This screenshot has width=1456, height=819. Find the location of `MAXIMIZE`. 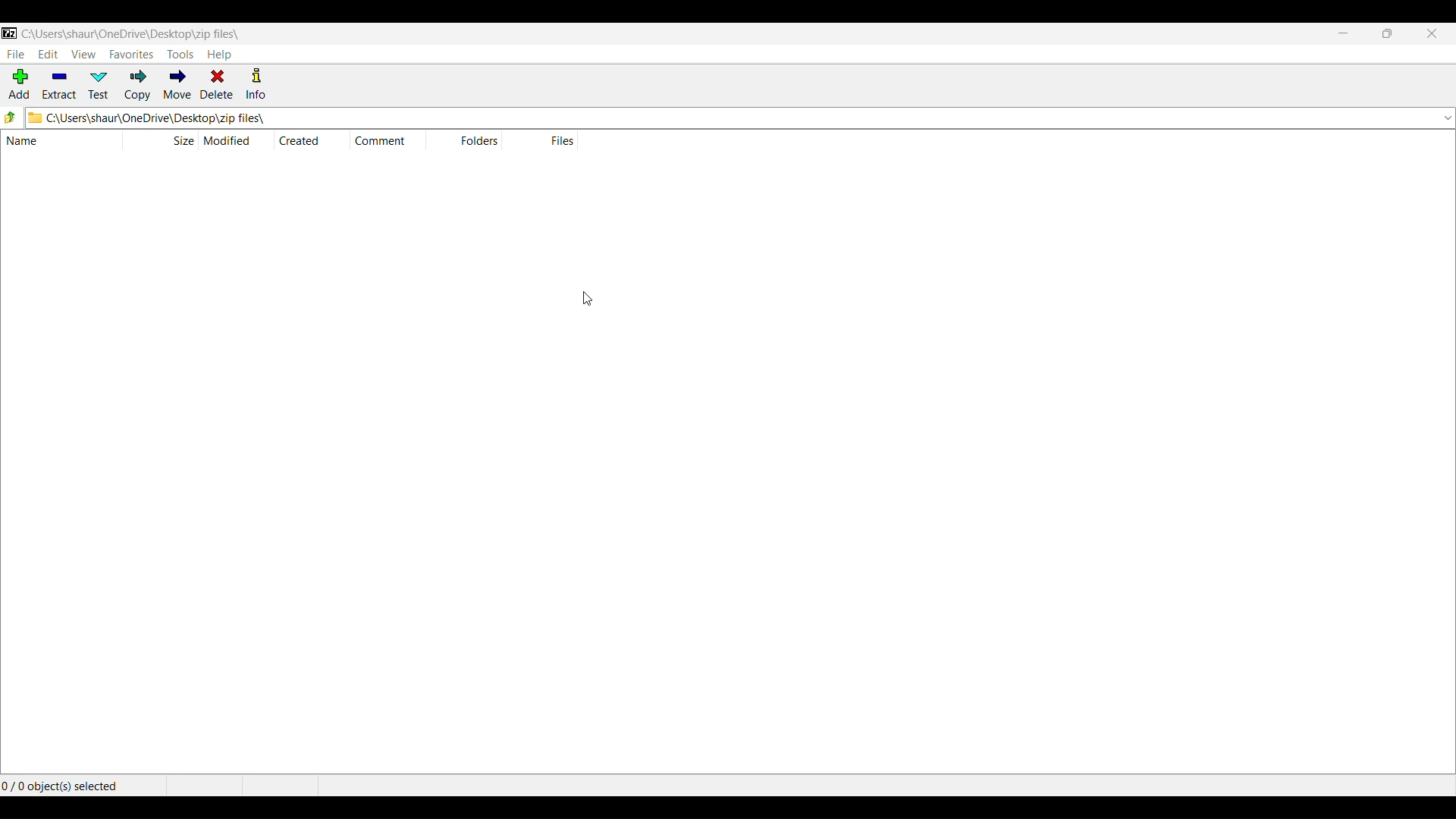

MAXIMIZE is located at coordinates (1387, 35).